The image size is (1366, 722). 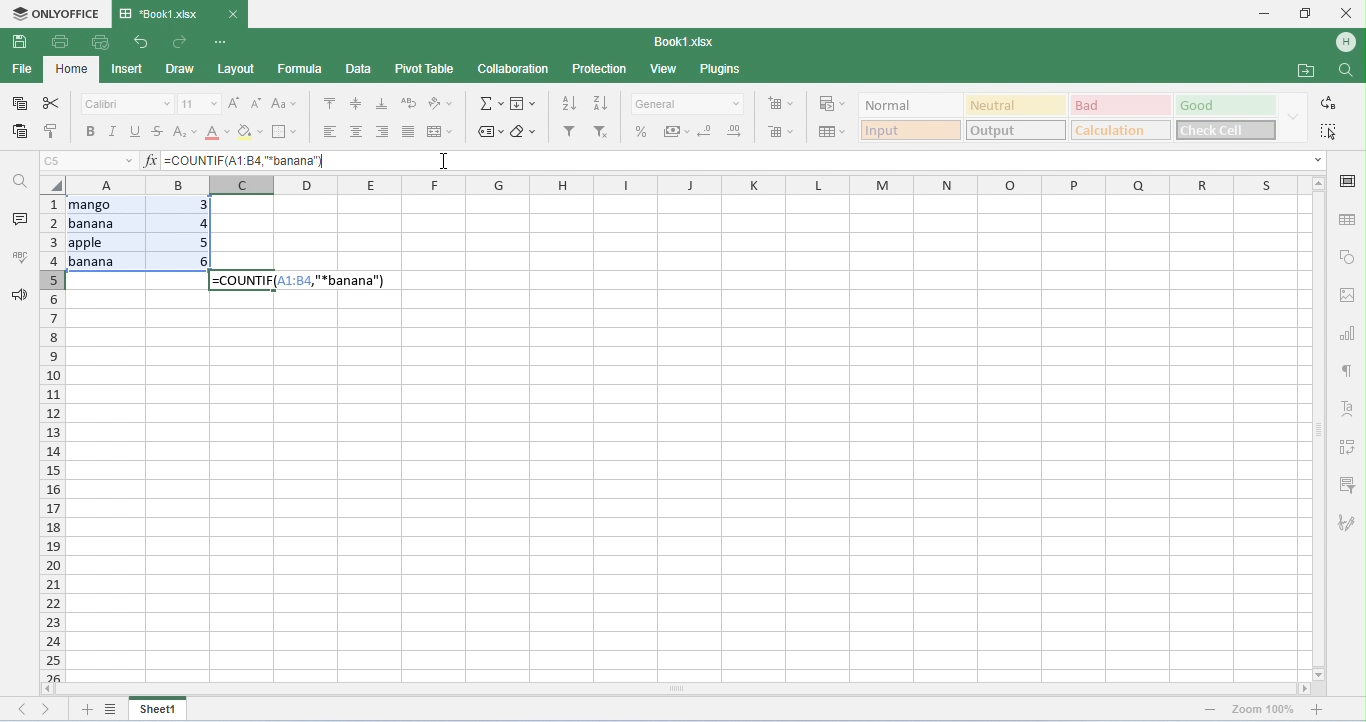 What do you see at coordinates (20, 104) in the screenshot?
I see `copy` at bounding box center [20, 104].